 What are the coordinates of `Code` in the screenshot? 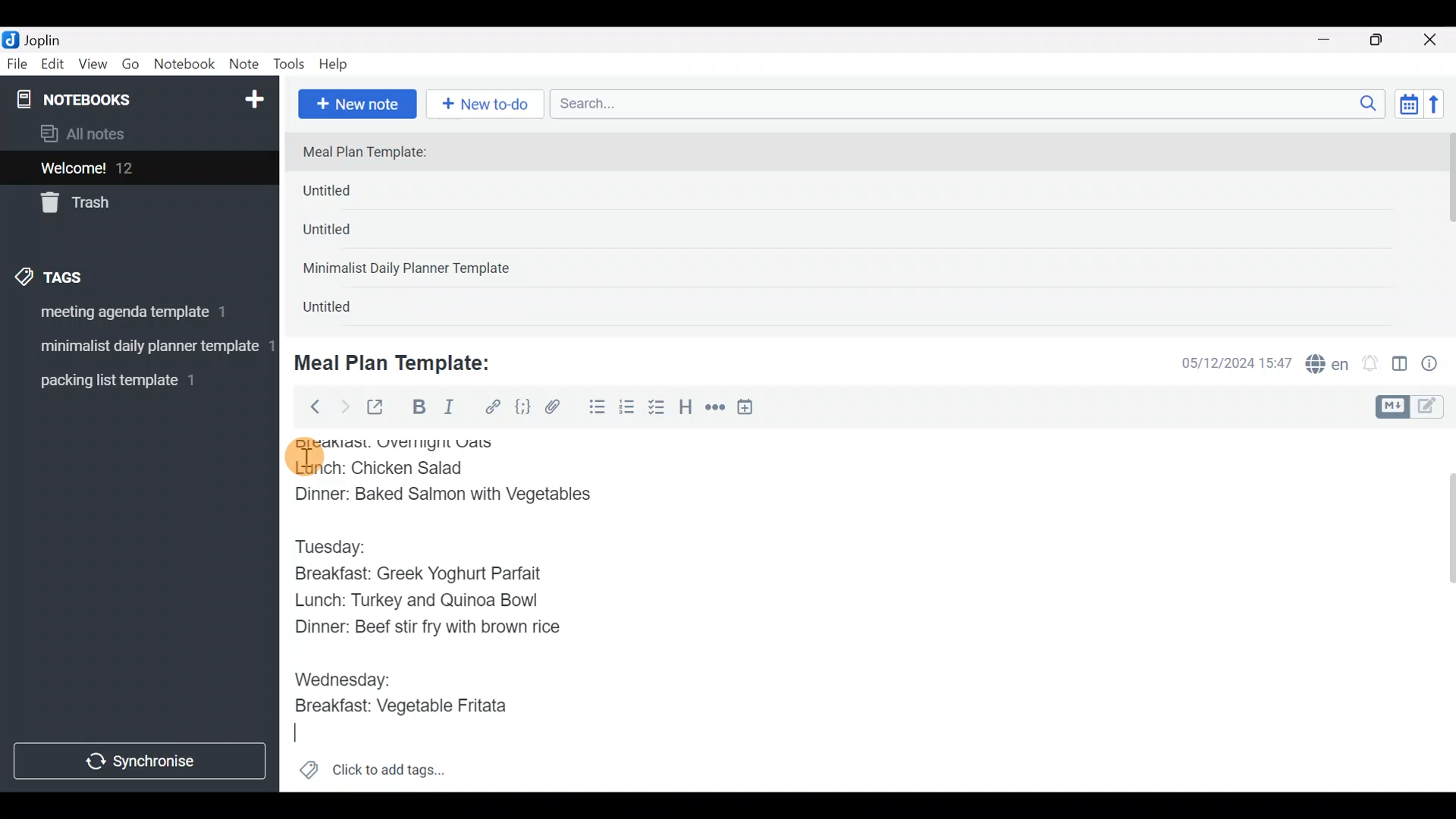 It's located at (521, 406).